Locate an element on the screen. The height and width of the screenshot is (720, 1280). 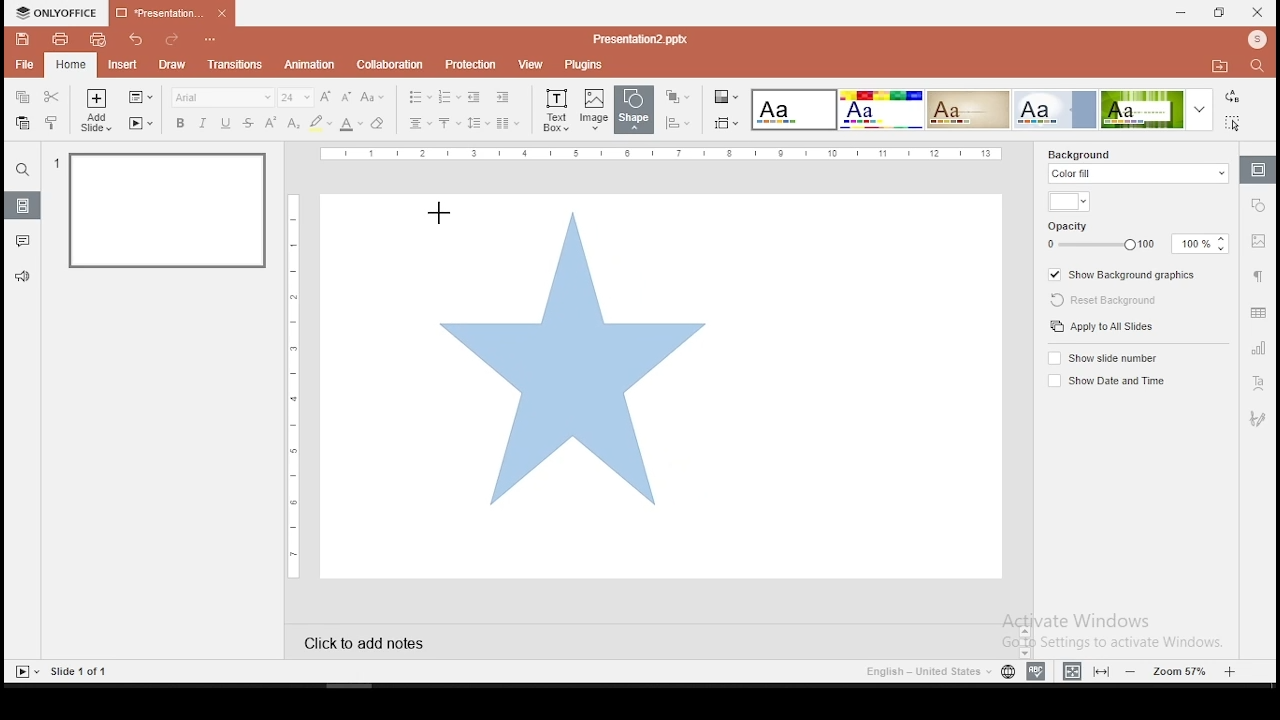
columns is located at coordinates (506, 122).